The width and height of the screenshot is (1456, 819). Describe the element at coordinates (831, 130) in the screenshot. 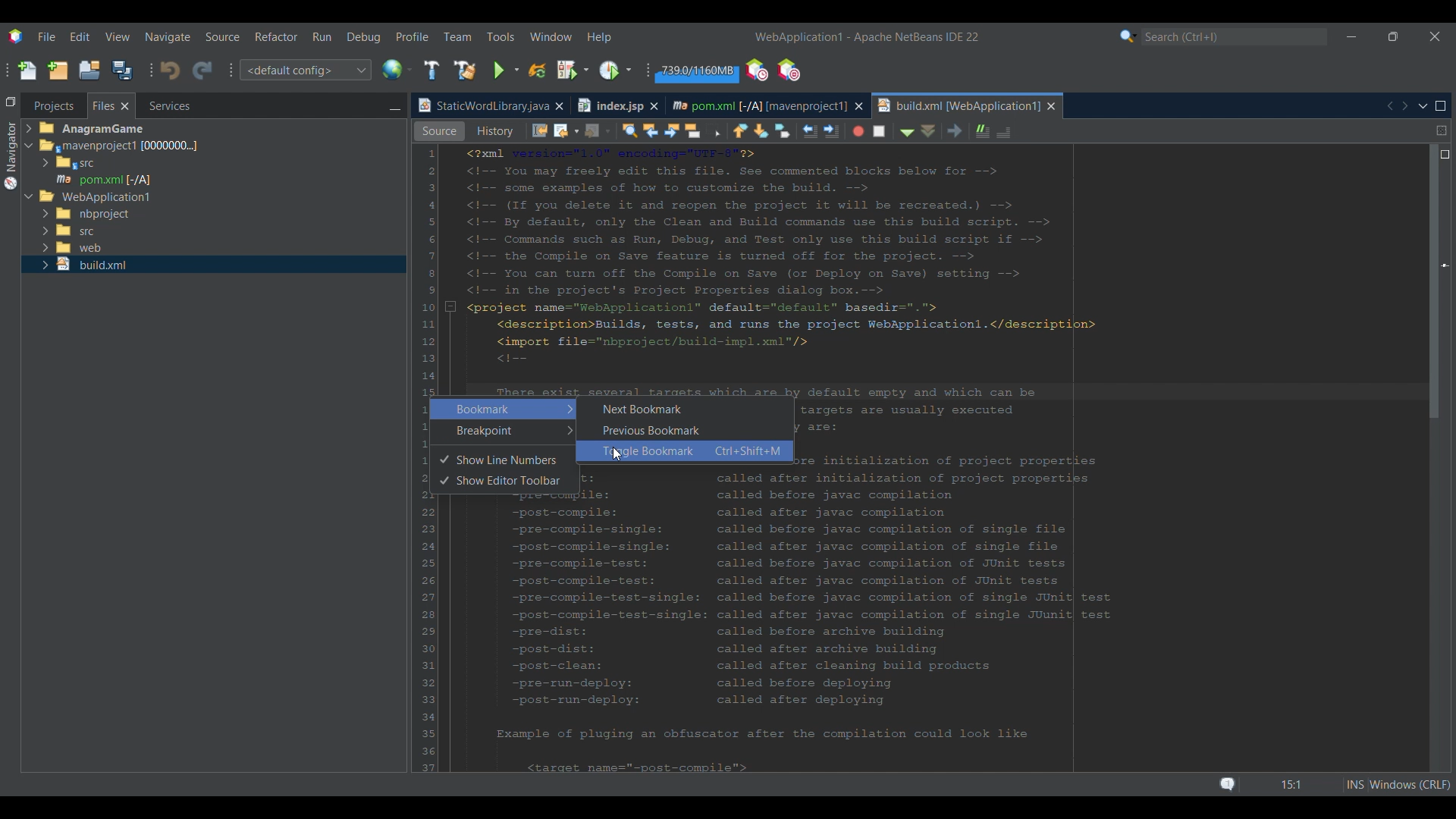

I see `Toggle highlight search` at that location.